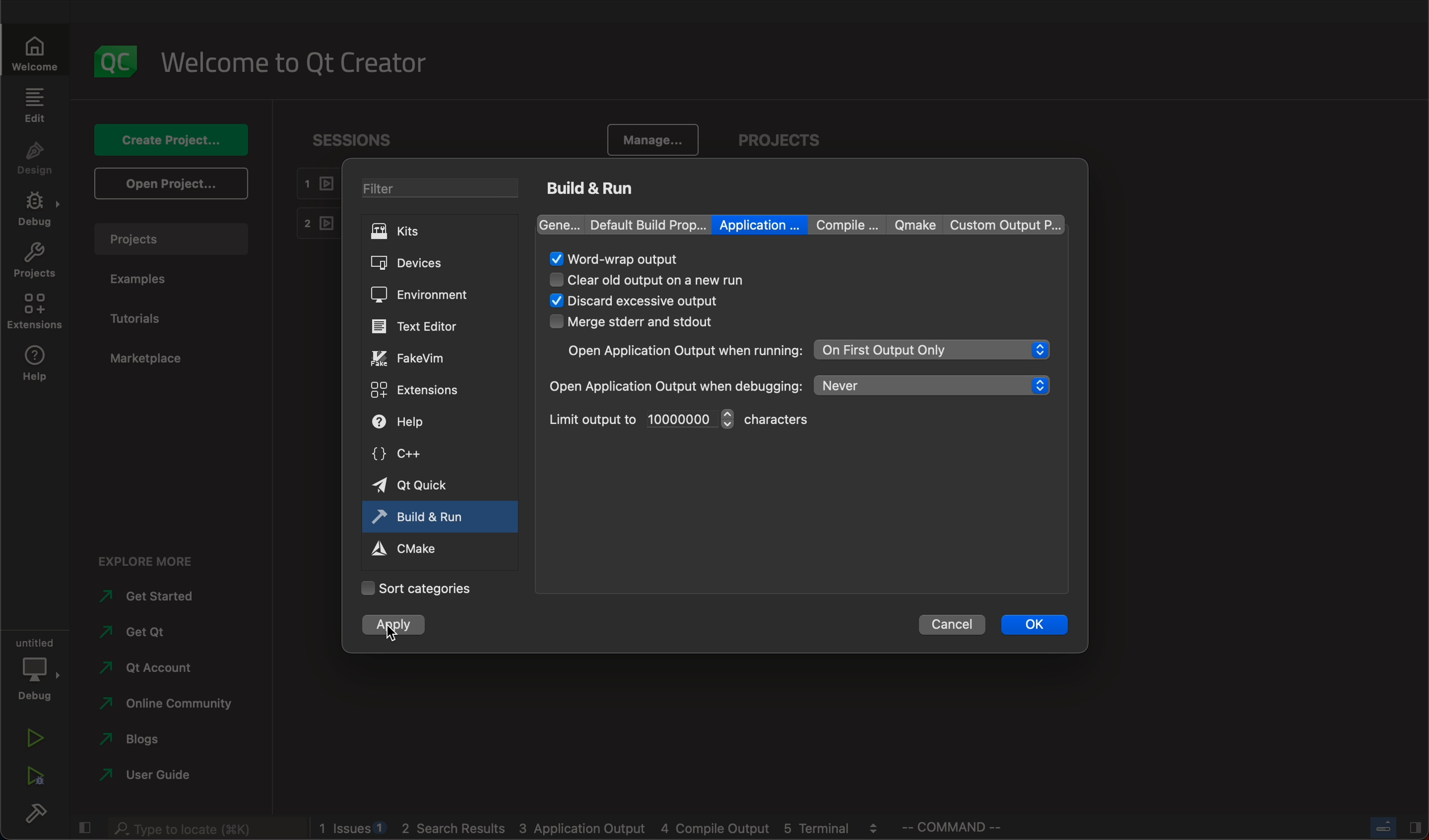 Image resolution: width=1429 pixels, height=840 pixels. I want to click on limit output, so click(639, 419).